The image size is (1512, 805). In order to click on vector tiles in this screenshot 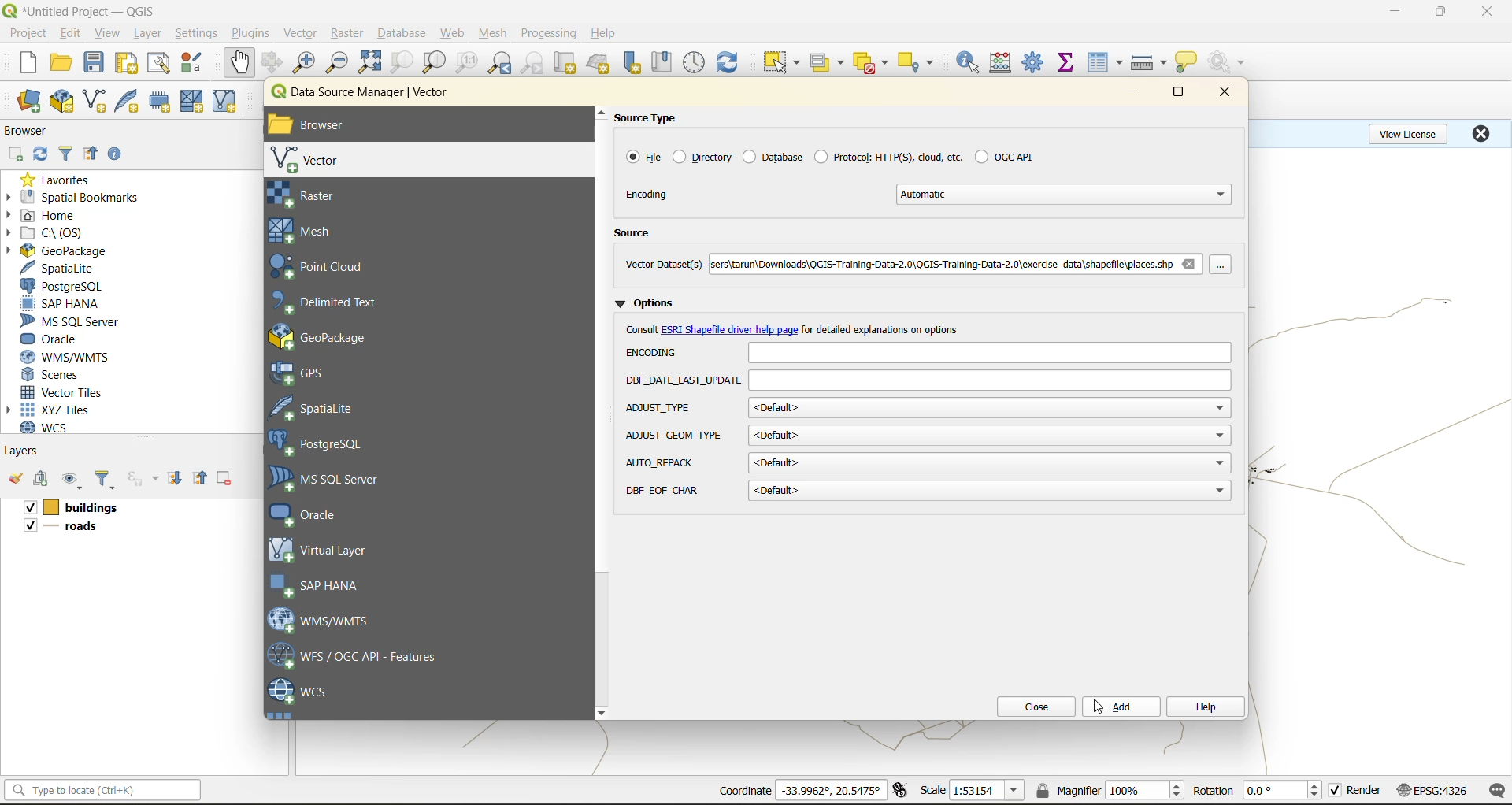, I will do `click(65, 391)`.